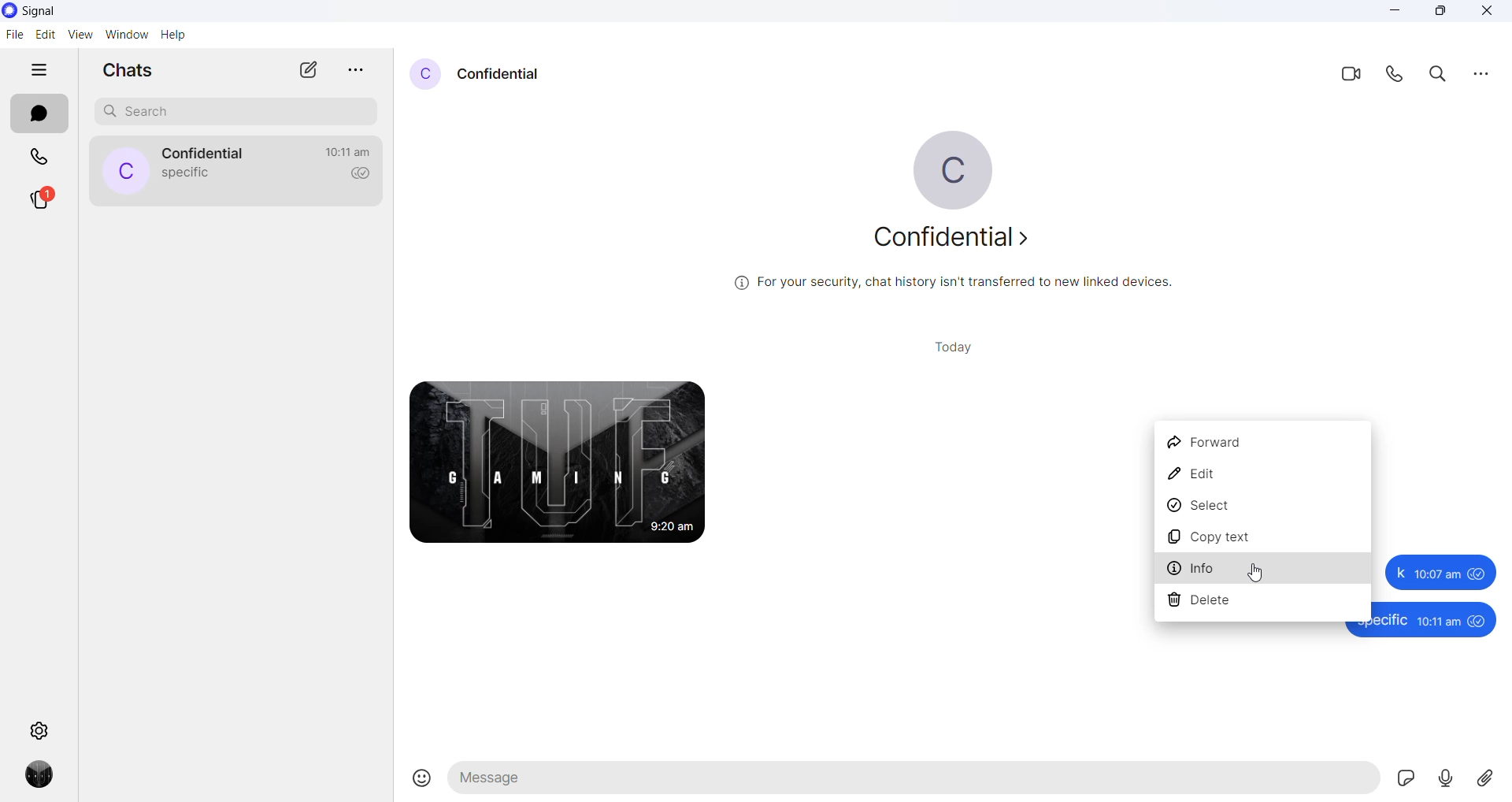 The width and height of the screenshot is (1512, 802). I want to click on last message, so click(188, 175).